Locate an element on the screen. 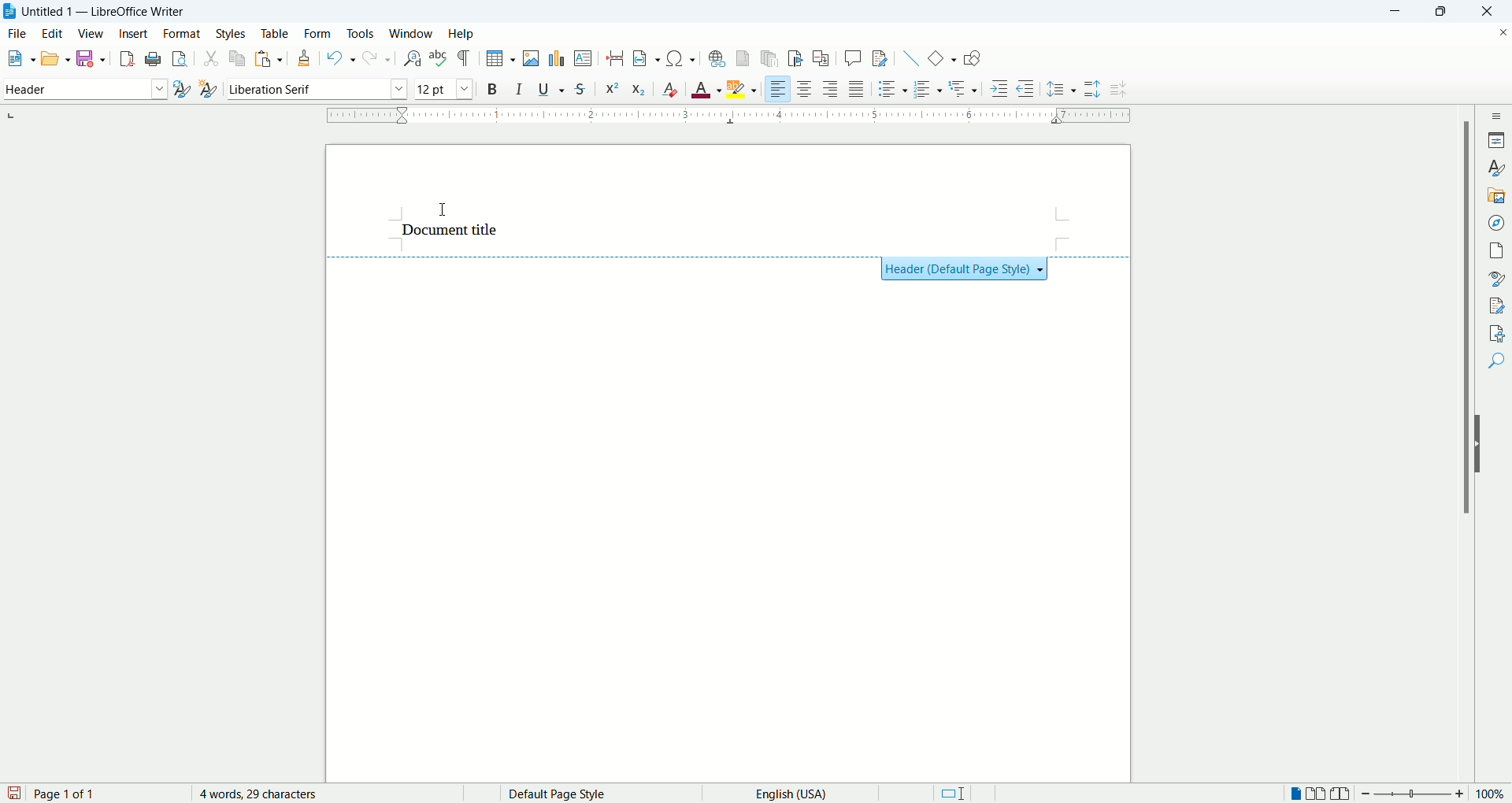  subscript is located at coordinates (642, 90).